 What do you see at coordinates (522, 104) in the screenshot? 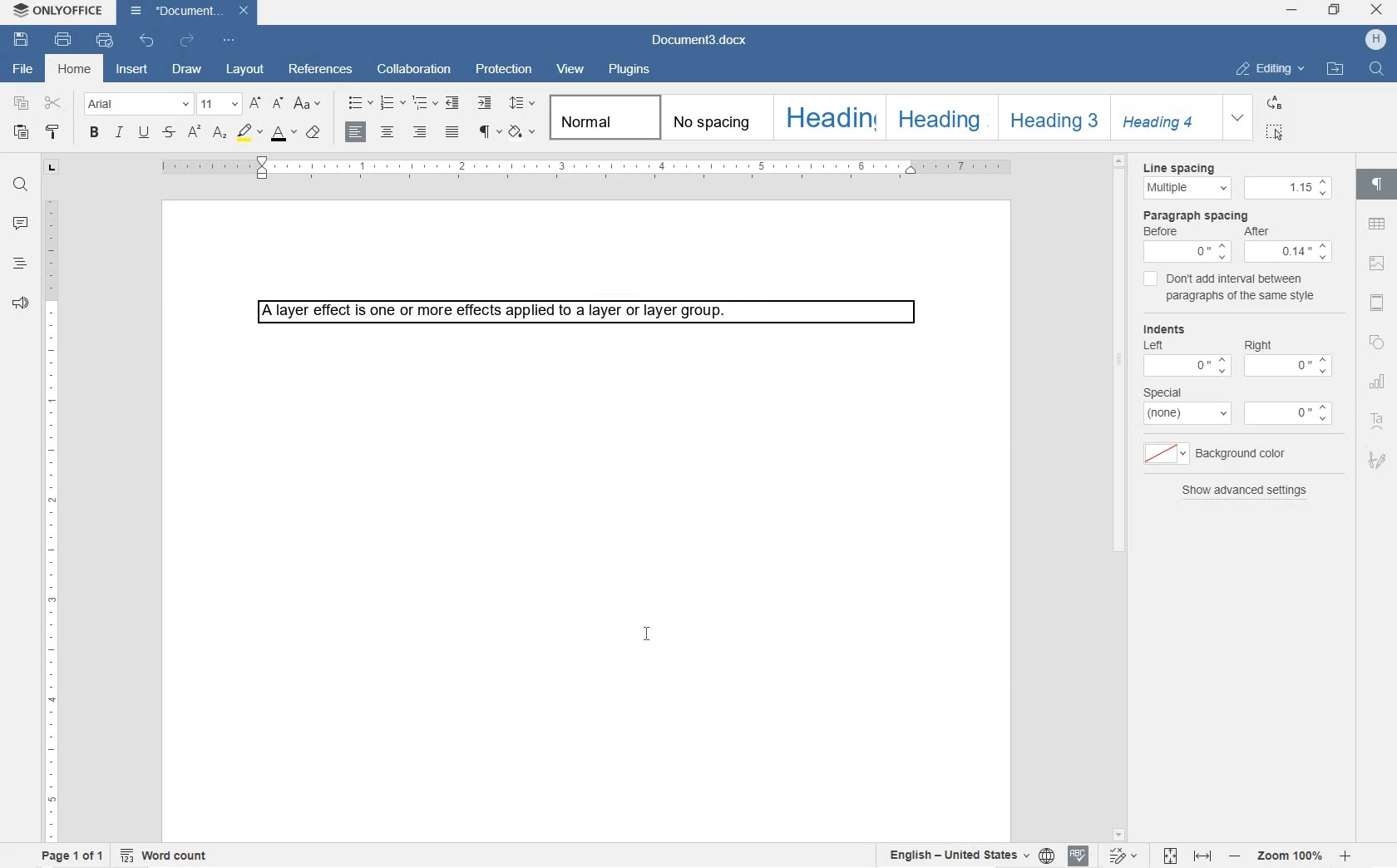
I see `PARAGRAPH LINE SPACING` at bounding box center [522, 104].